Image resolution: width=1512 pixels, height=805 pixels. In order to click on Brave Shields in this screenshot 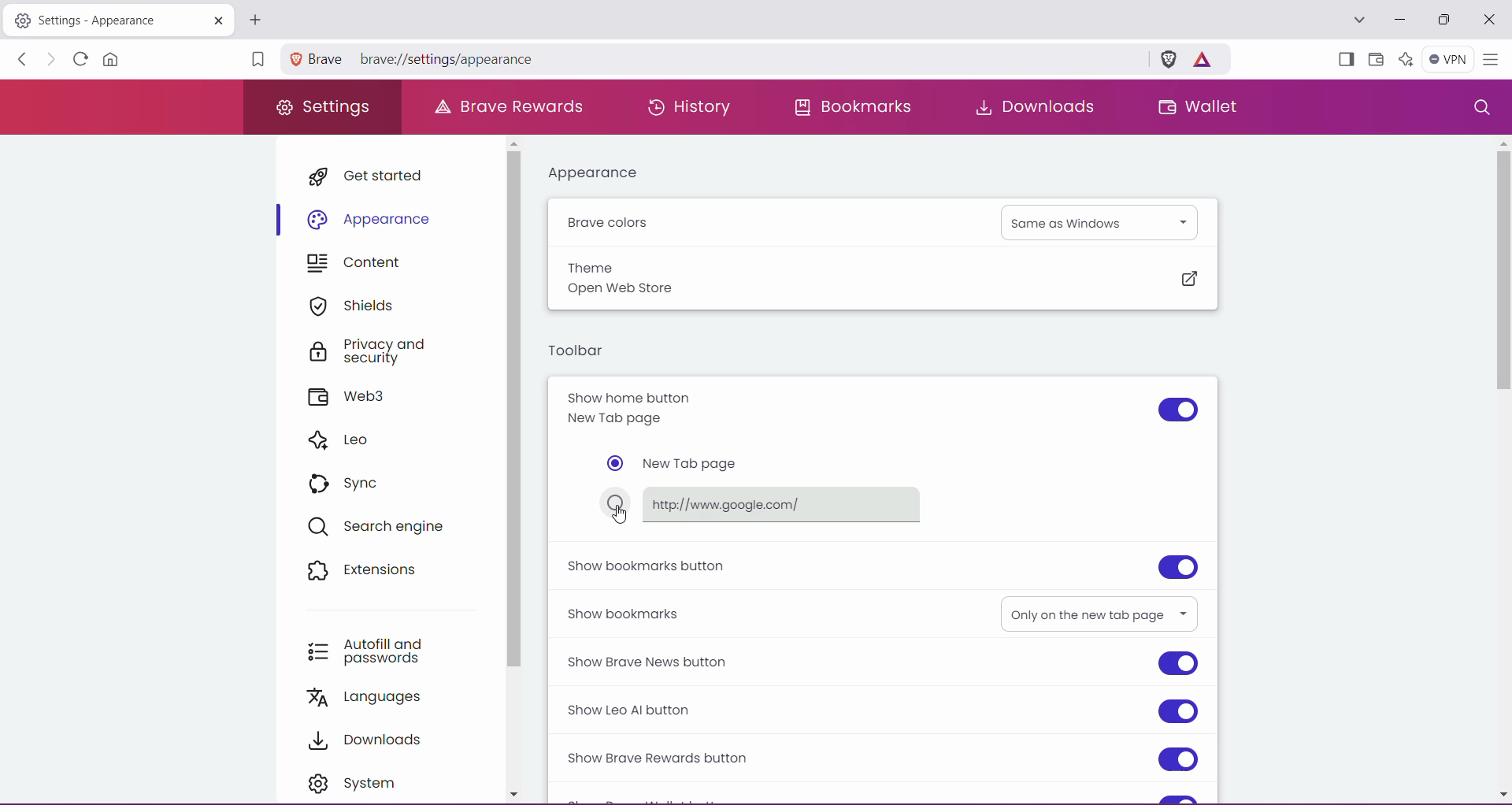, I will do `click(1169, 57)`.